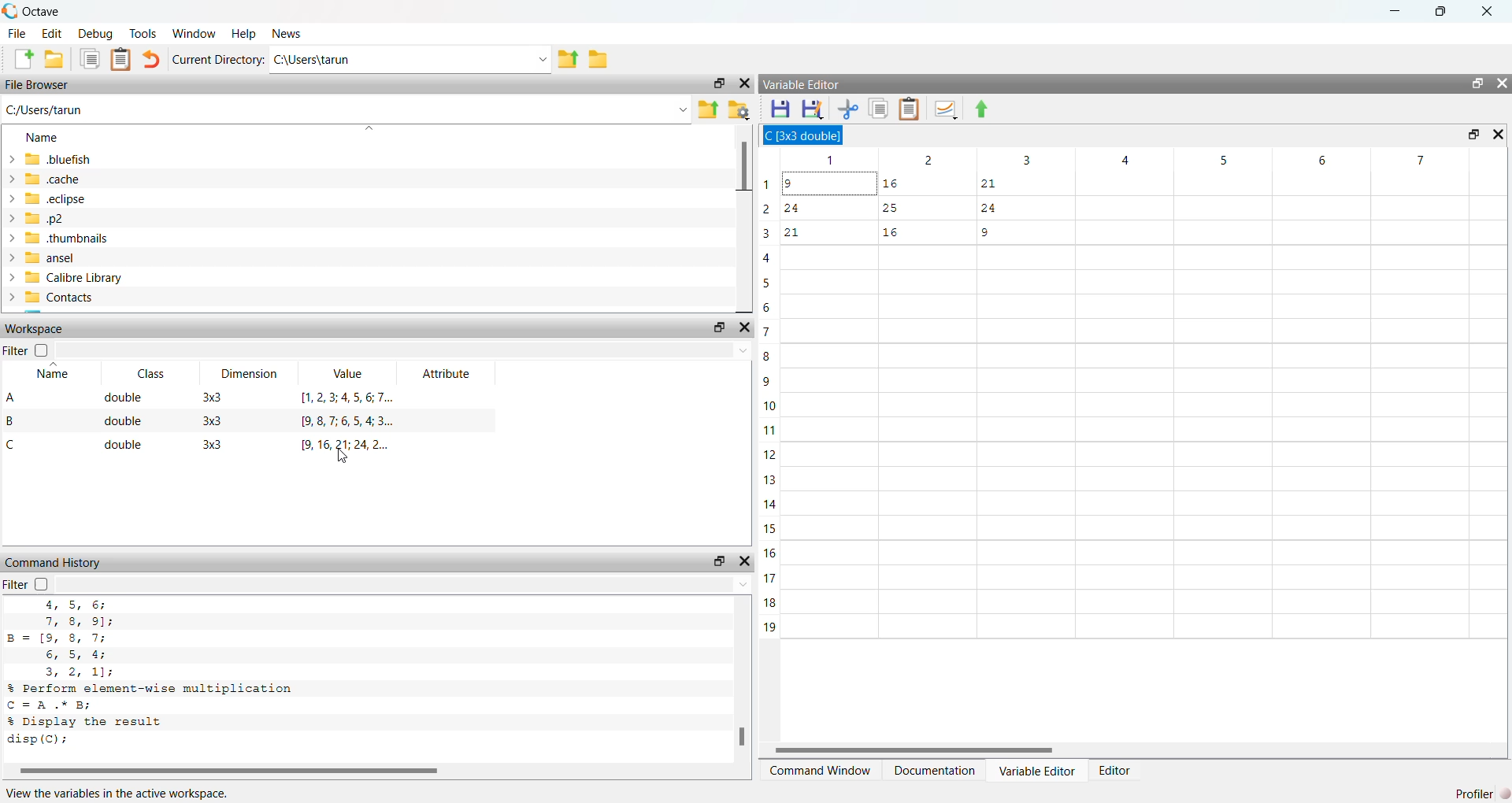  What do you see at coordinates (743, 220) in the screenshot?
I see `Scroll` at bounding box center [743, 220].